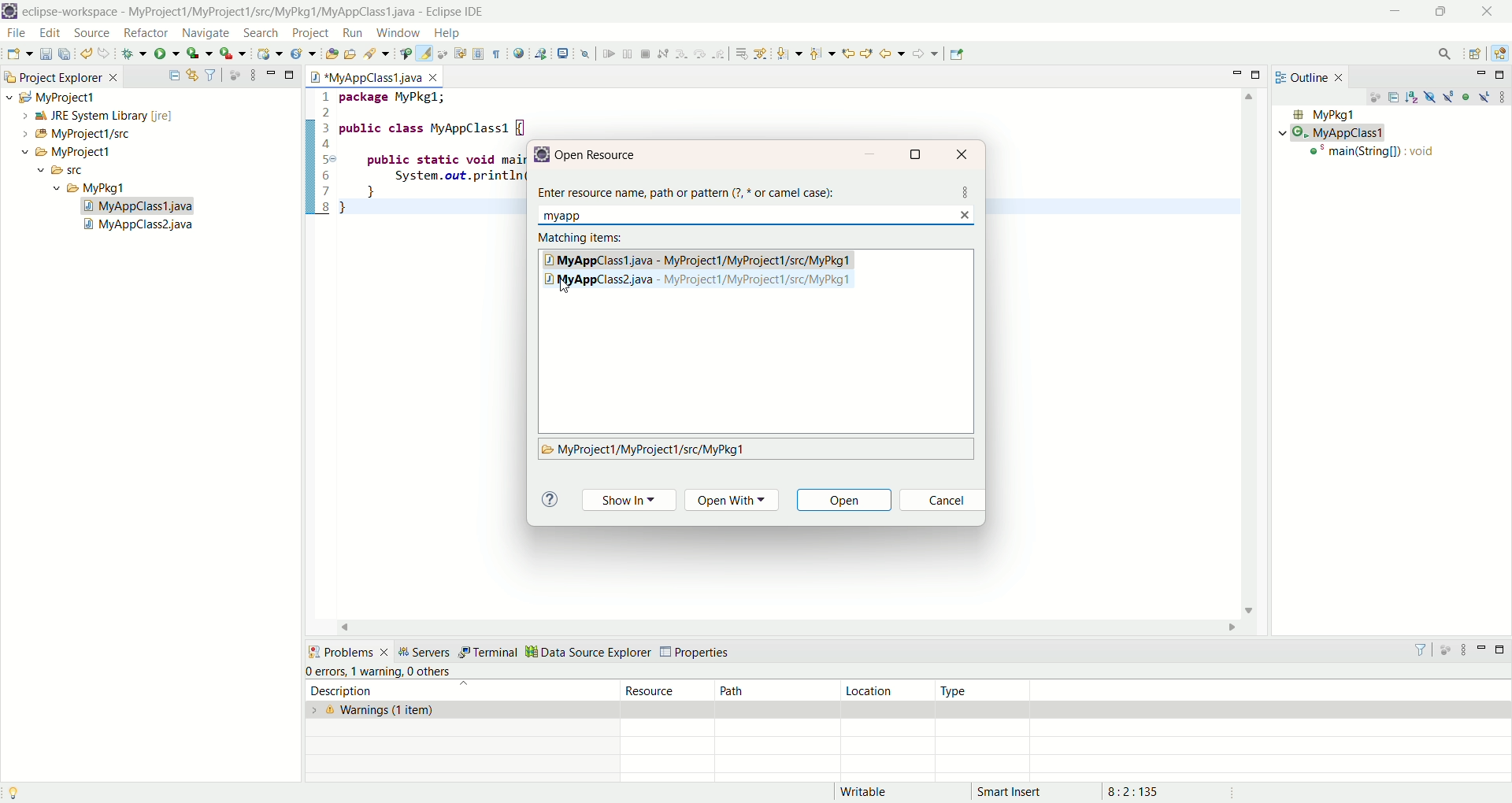 The image size is (1512, 803). What do you see at coordinates (270, 54) in the screenshot?
I see `create a dynamic web project` at bounding box center [270, 54].